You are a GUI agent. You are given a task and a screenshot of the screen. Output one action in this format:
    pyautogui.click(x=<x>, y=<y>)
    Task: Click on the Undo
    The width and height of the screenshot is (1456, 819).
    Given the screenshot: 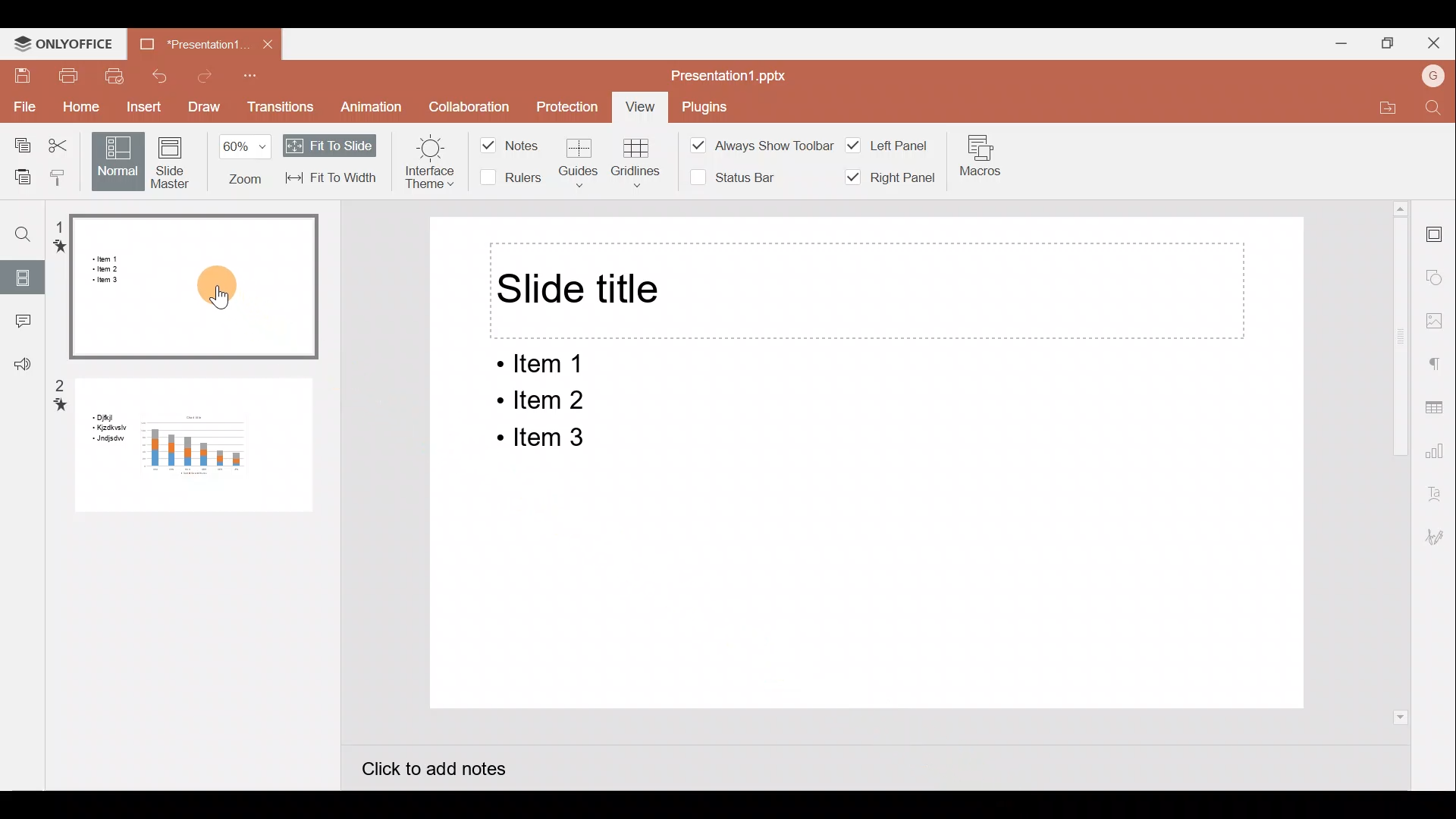 What is the action you would take?
    pyautogui.click(x=162, y=76)
    